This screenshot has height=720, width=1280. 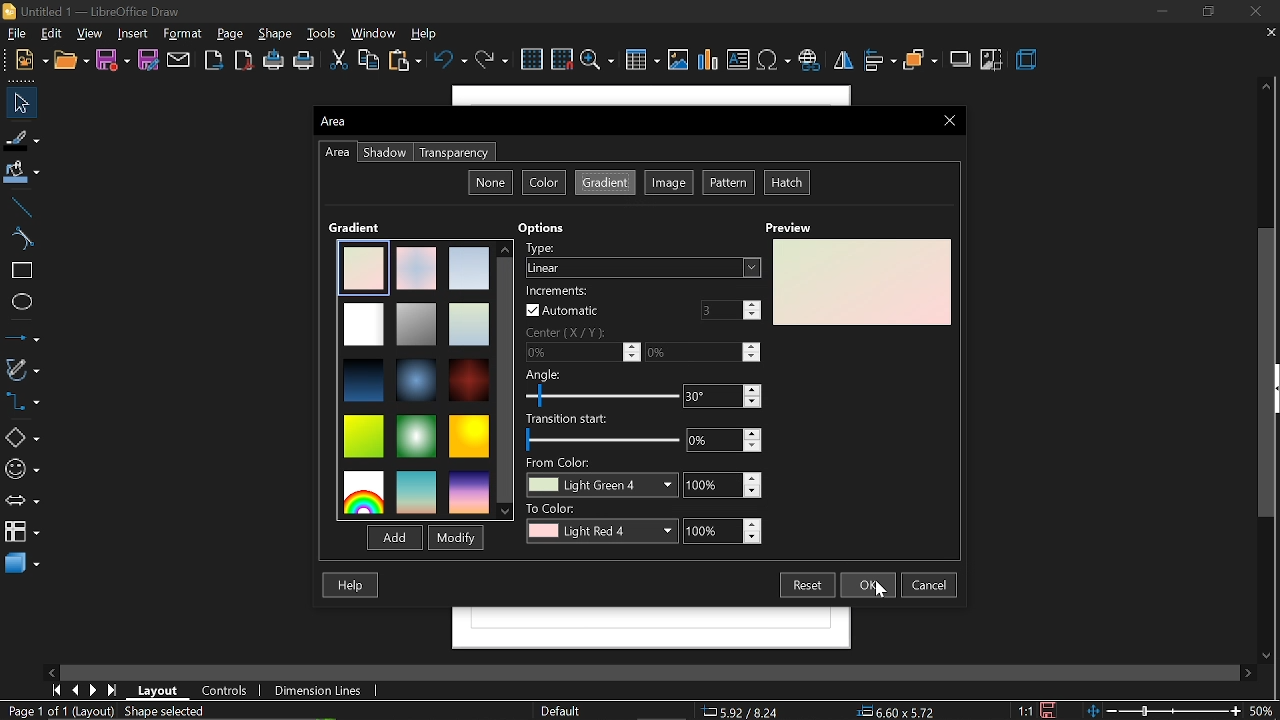 What do you see at coordinates (134, 34) in the screenshot?
I see `Insert` at bounding box center [134, 34].